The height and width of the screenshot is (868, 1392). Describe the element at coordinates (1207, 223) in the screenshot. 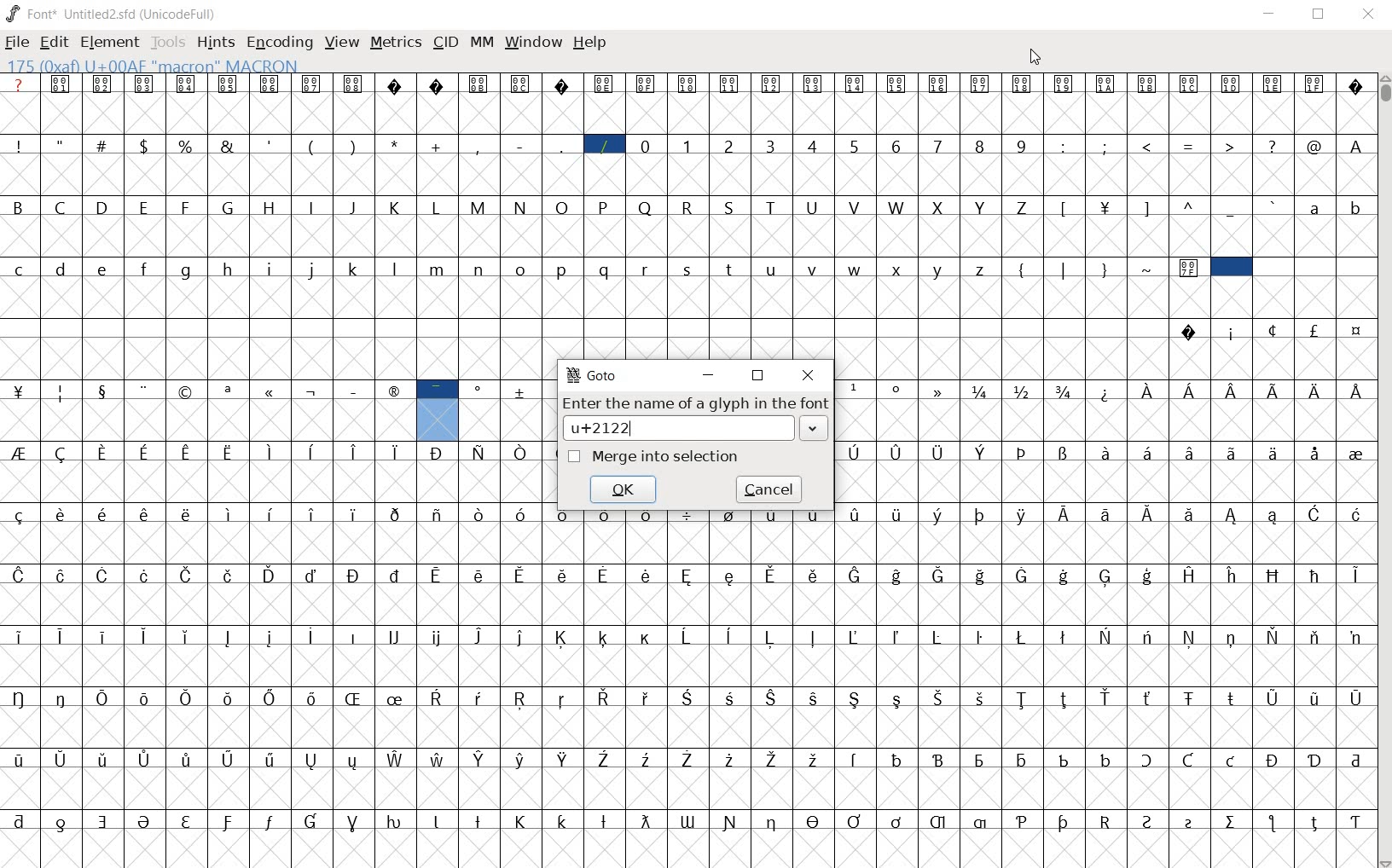

I see `special characters` at that location.